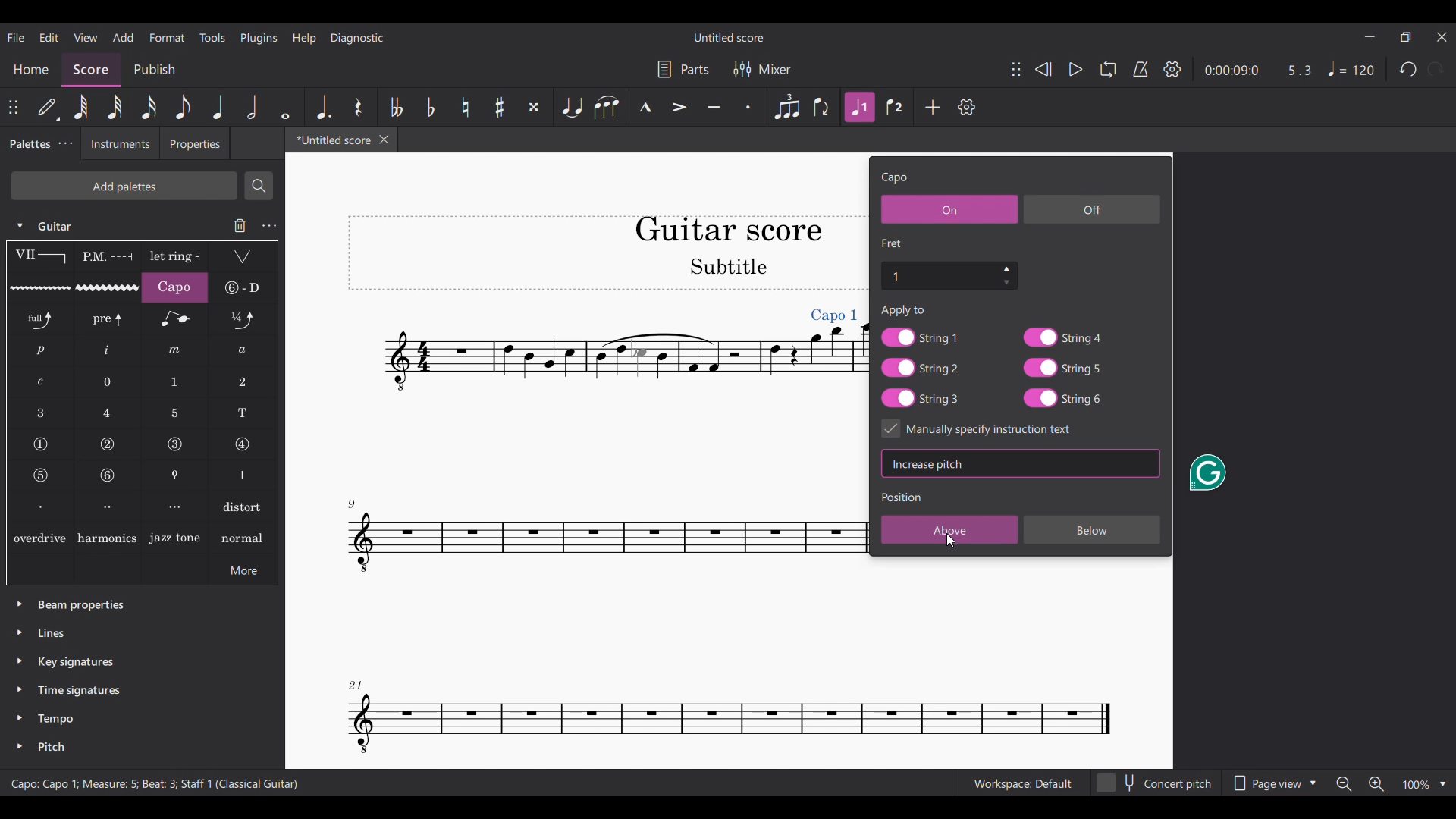 This screenshot has height=819, width=1456. Describe the element at coordinates (1156, 783) in the screenshot. I see `Concert pitch toggle` at that location.